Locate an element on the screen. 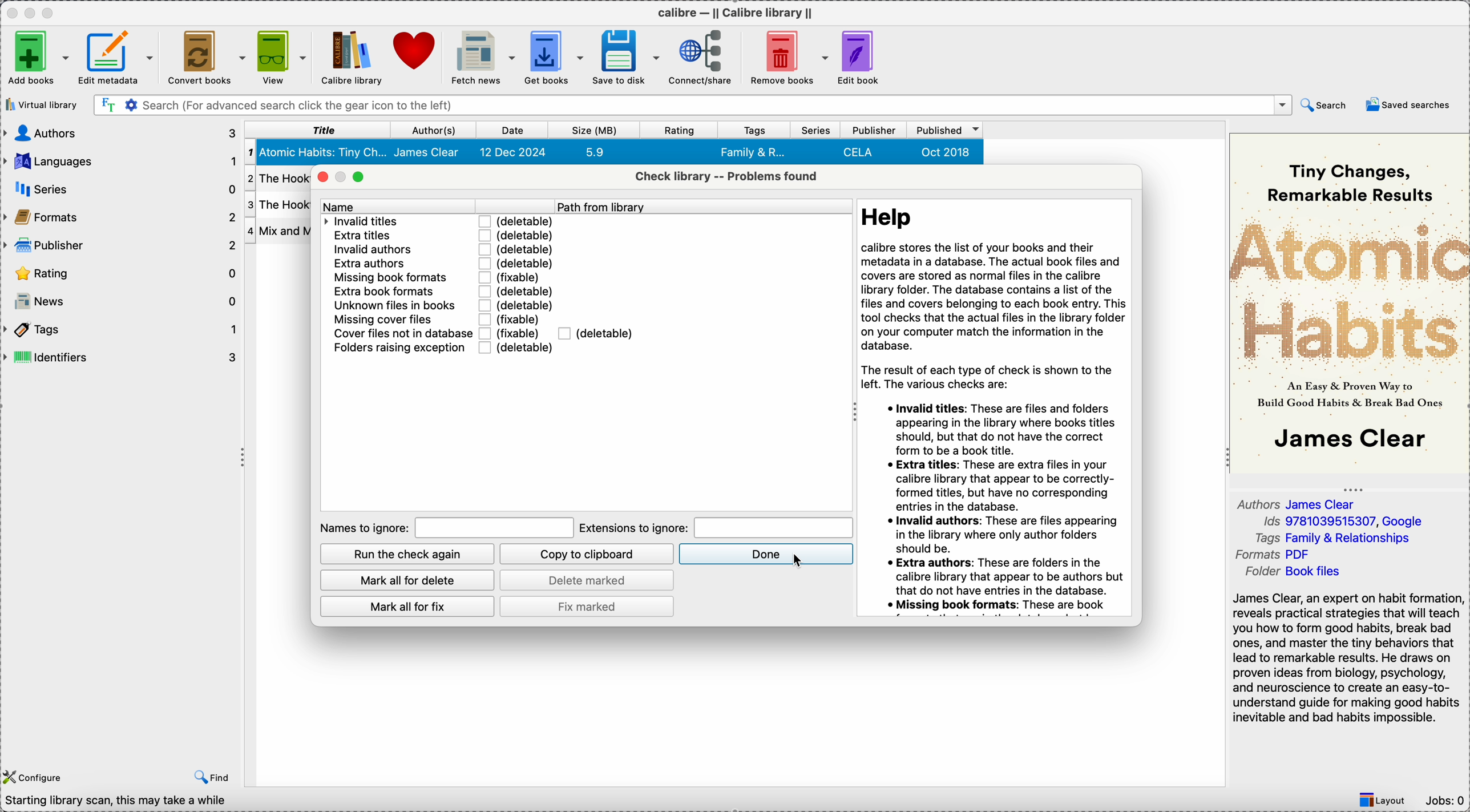  fixable is located at coordinates (514, 332).